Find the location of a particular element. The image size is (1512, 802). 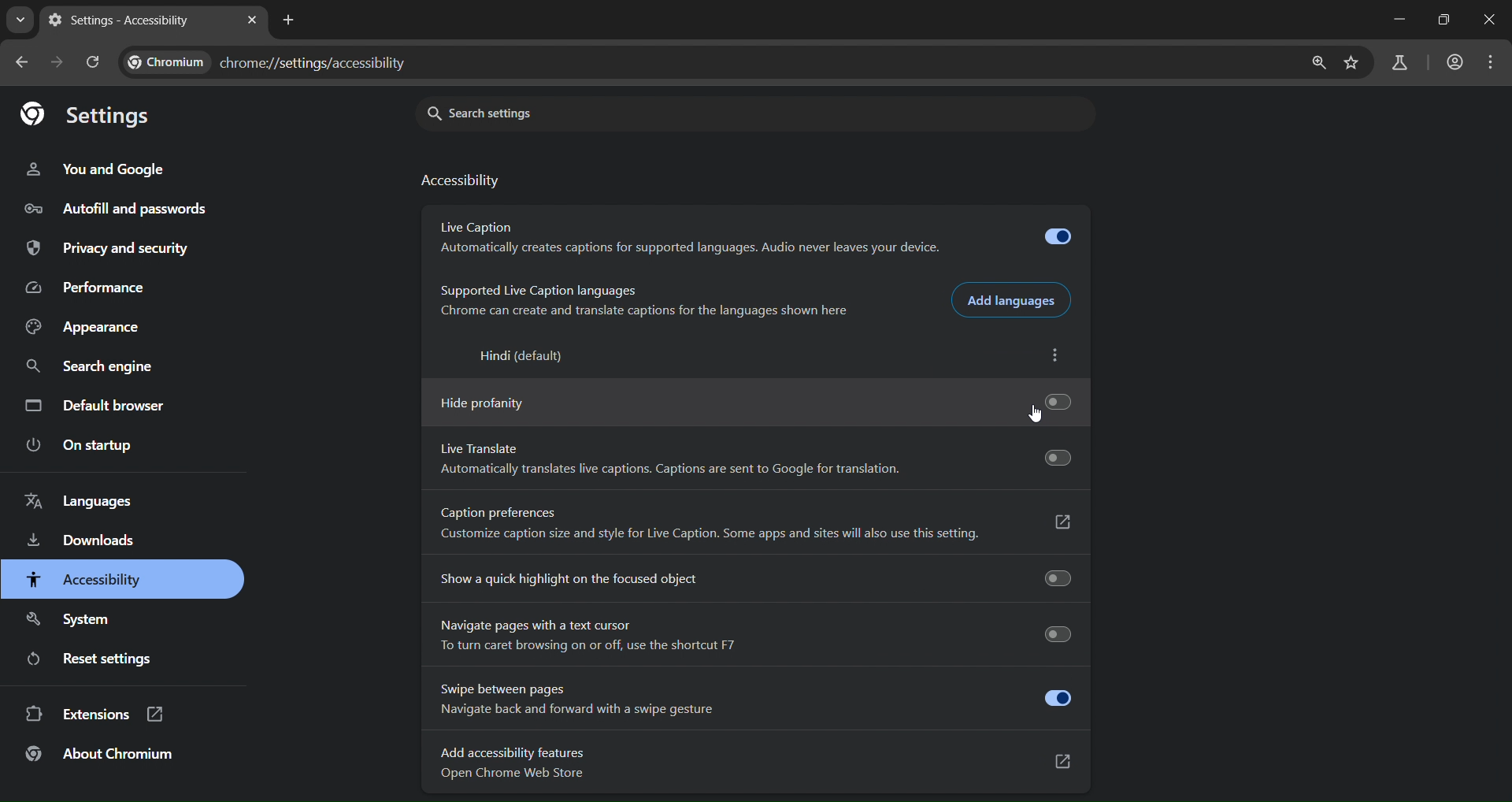

minimize is located at coordinates (1399, 17).